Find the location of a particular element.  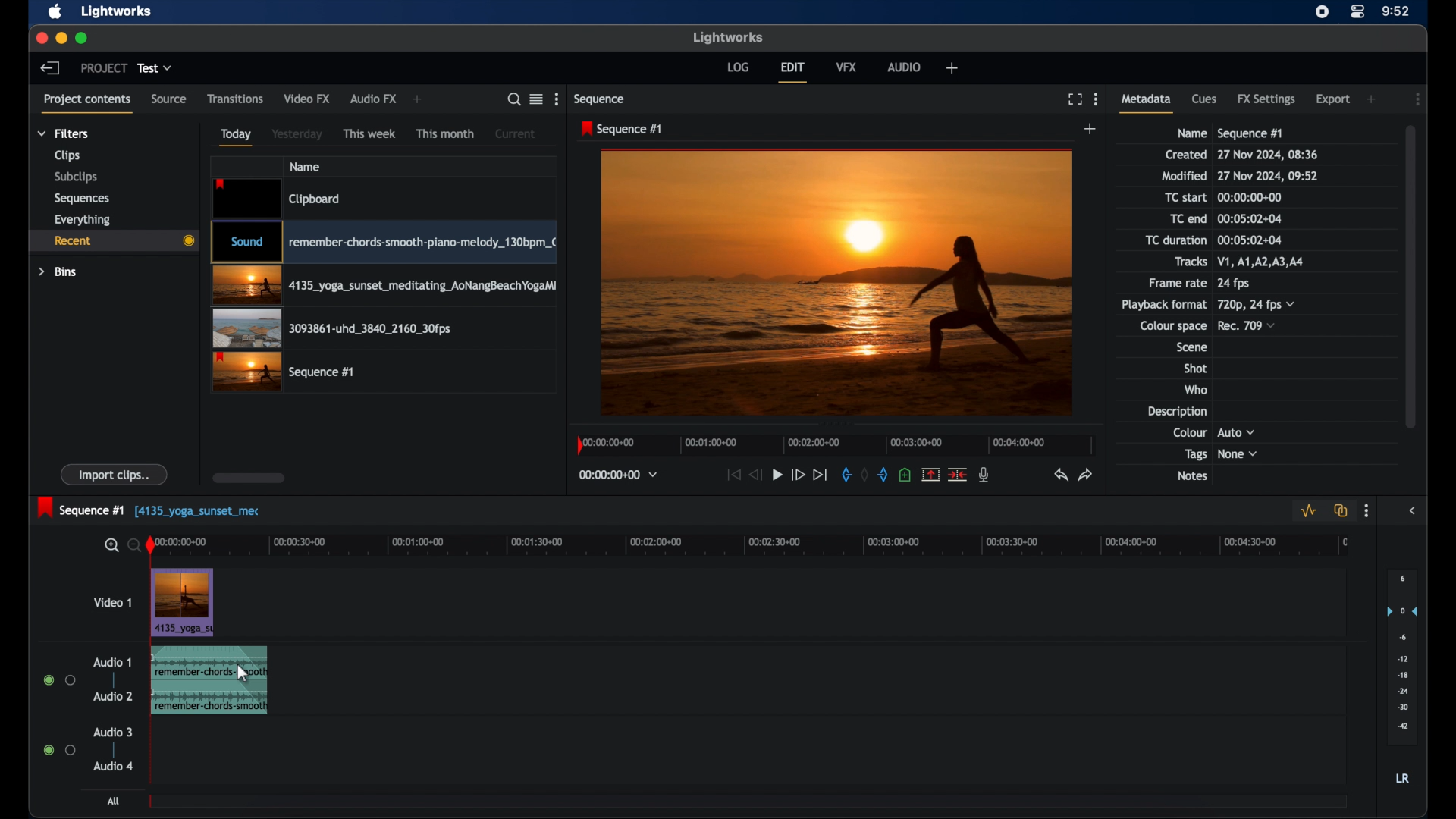

test is located at coordinates (155, 67).